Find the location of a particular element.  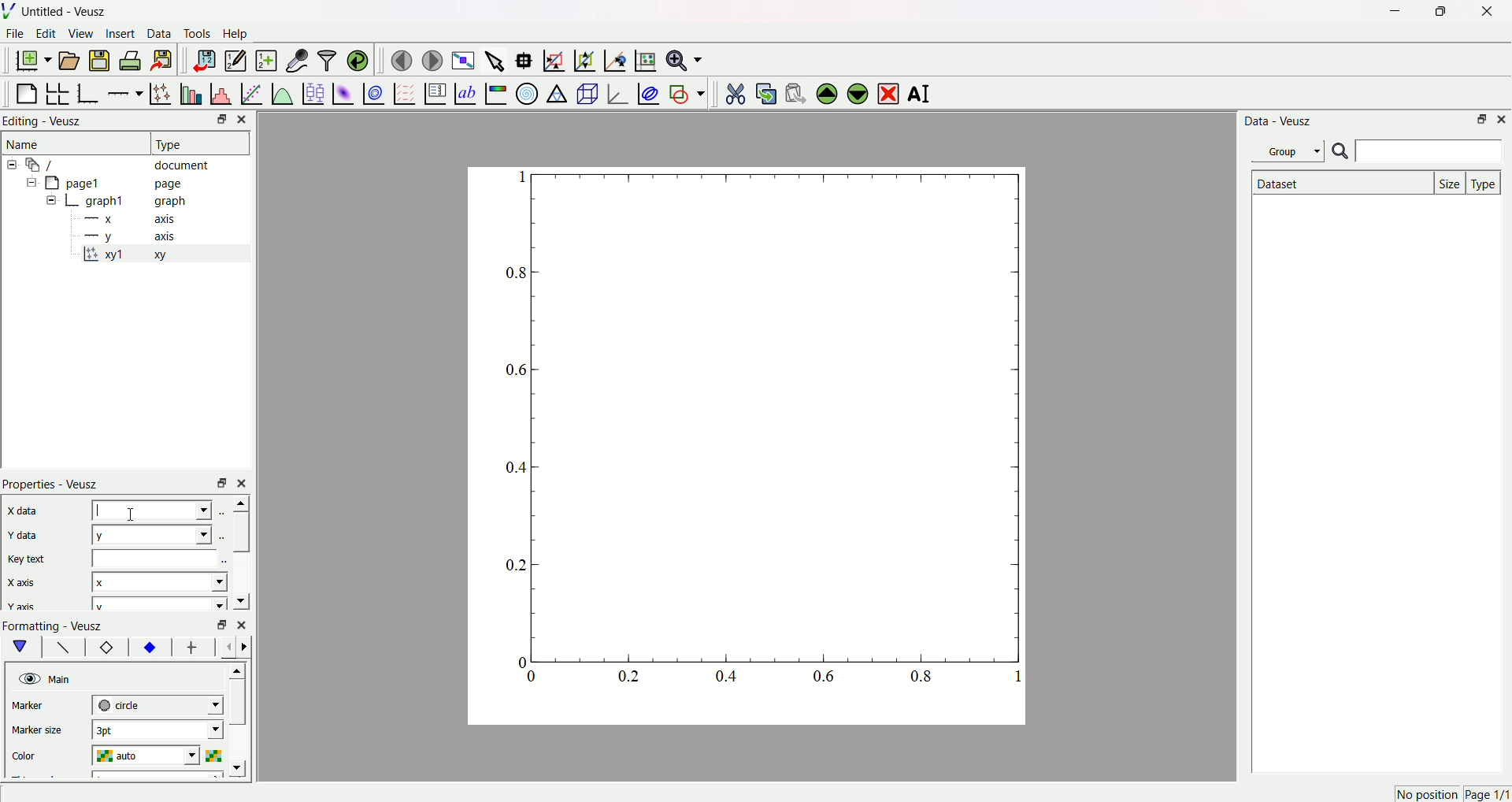

auto is located at coordinates (150, 756).